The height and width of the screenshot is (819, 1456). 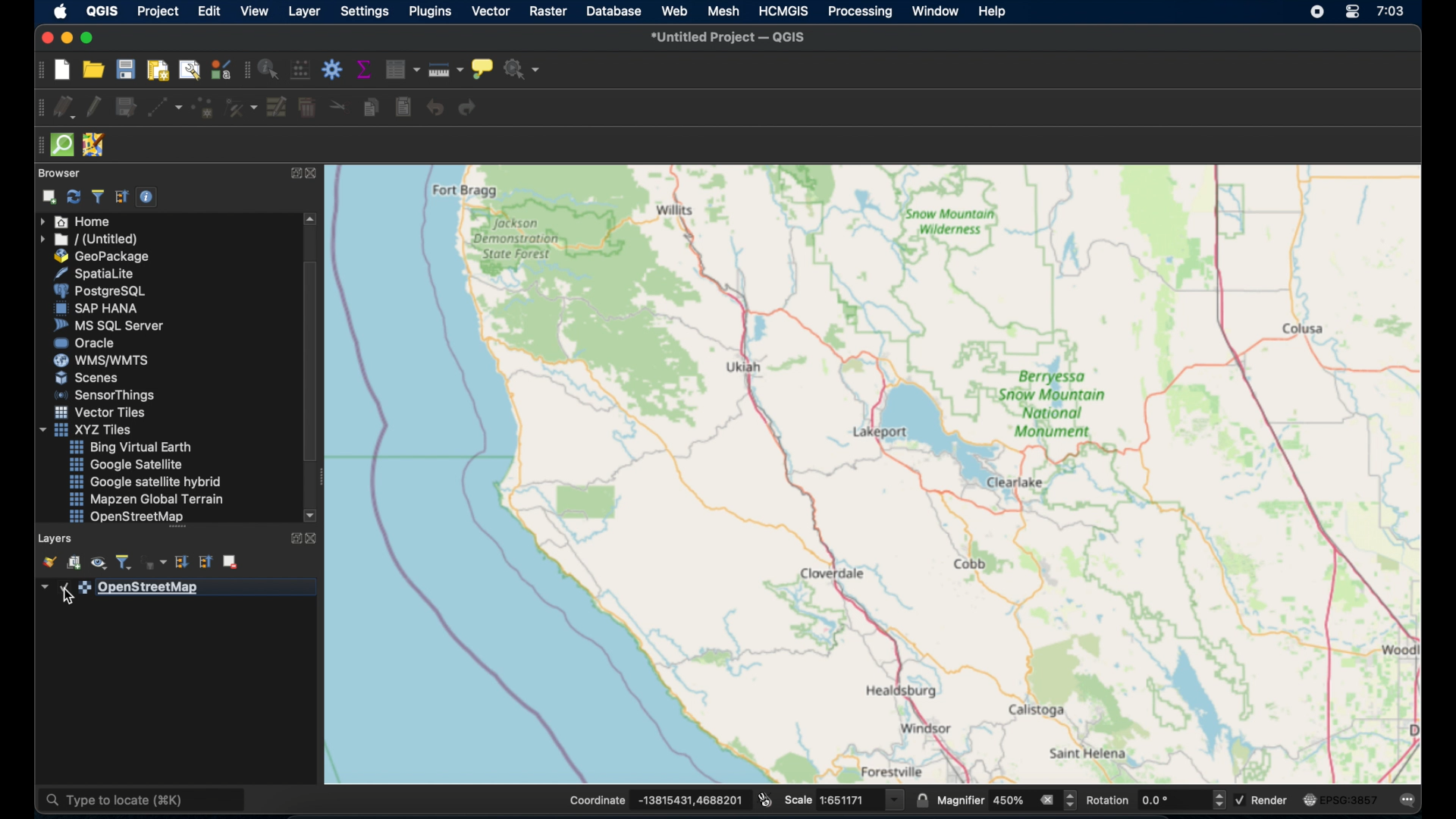 What do you see at coordinates (921, 801) in the screenshot?
I see `lock` at bounding box center [921, 801].